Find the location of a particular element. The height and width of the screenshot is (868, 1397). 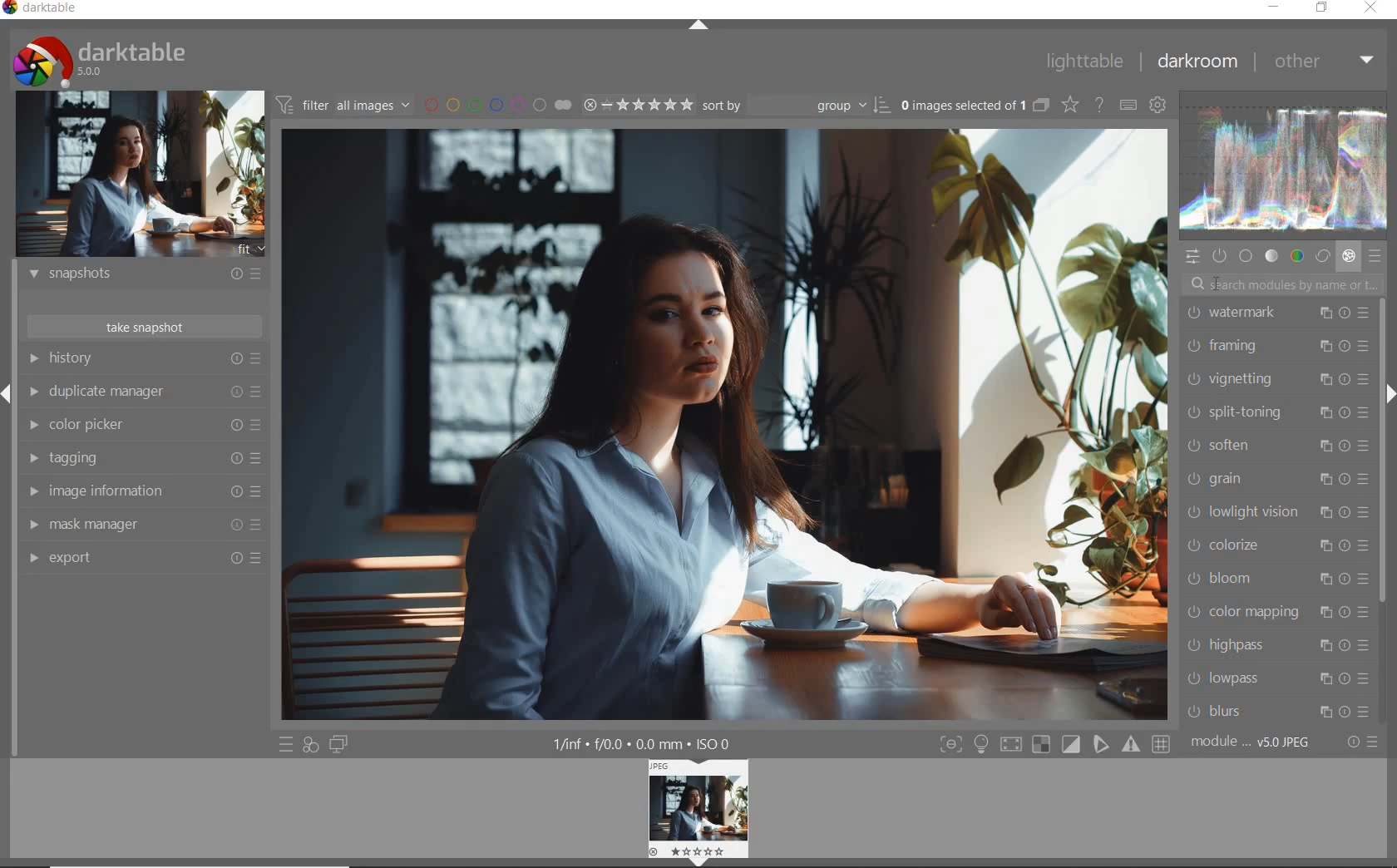

tagging is located at coordinates (146, 459).